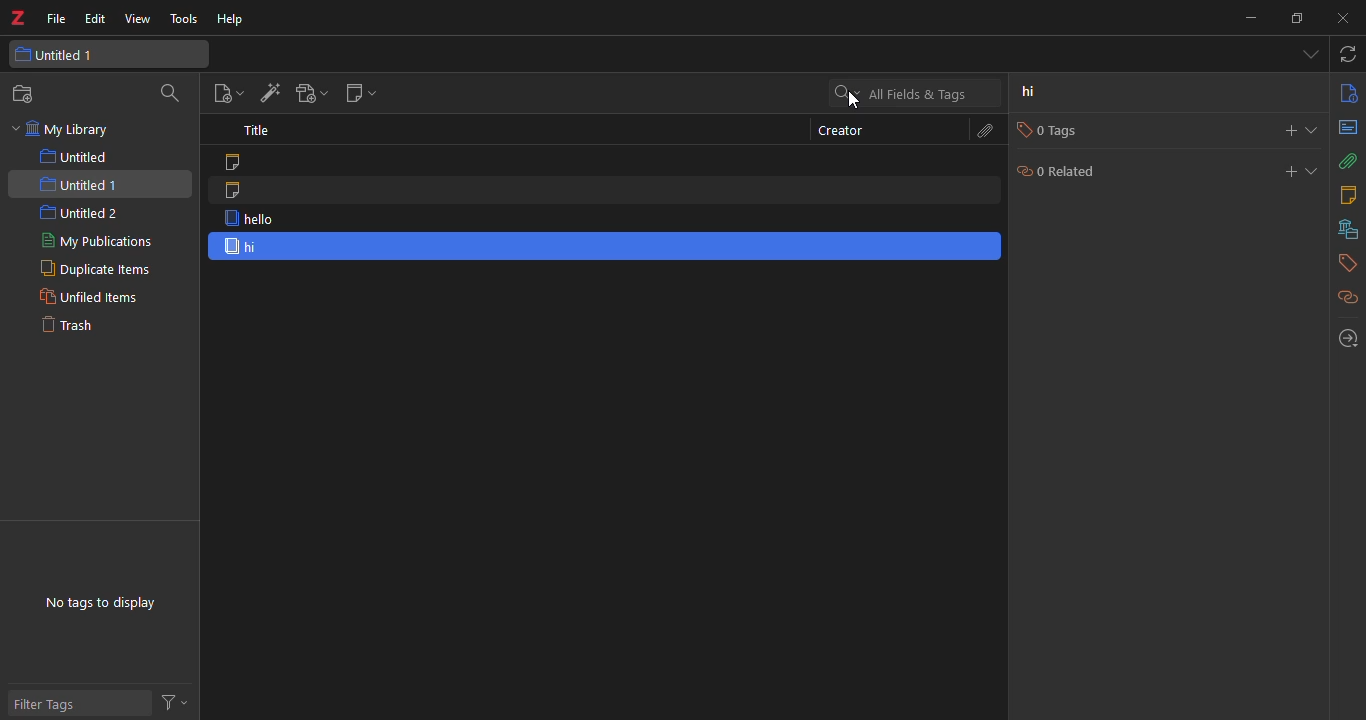 This screenshot has width=1366, height=720. I want to click on add, so click(1291, 128).